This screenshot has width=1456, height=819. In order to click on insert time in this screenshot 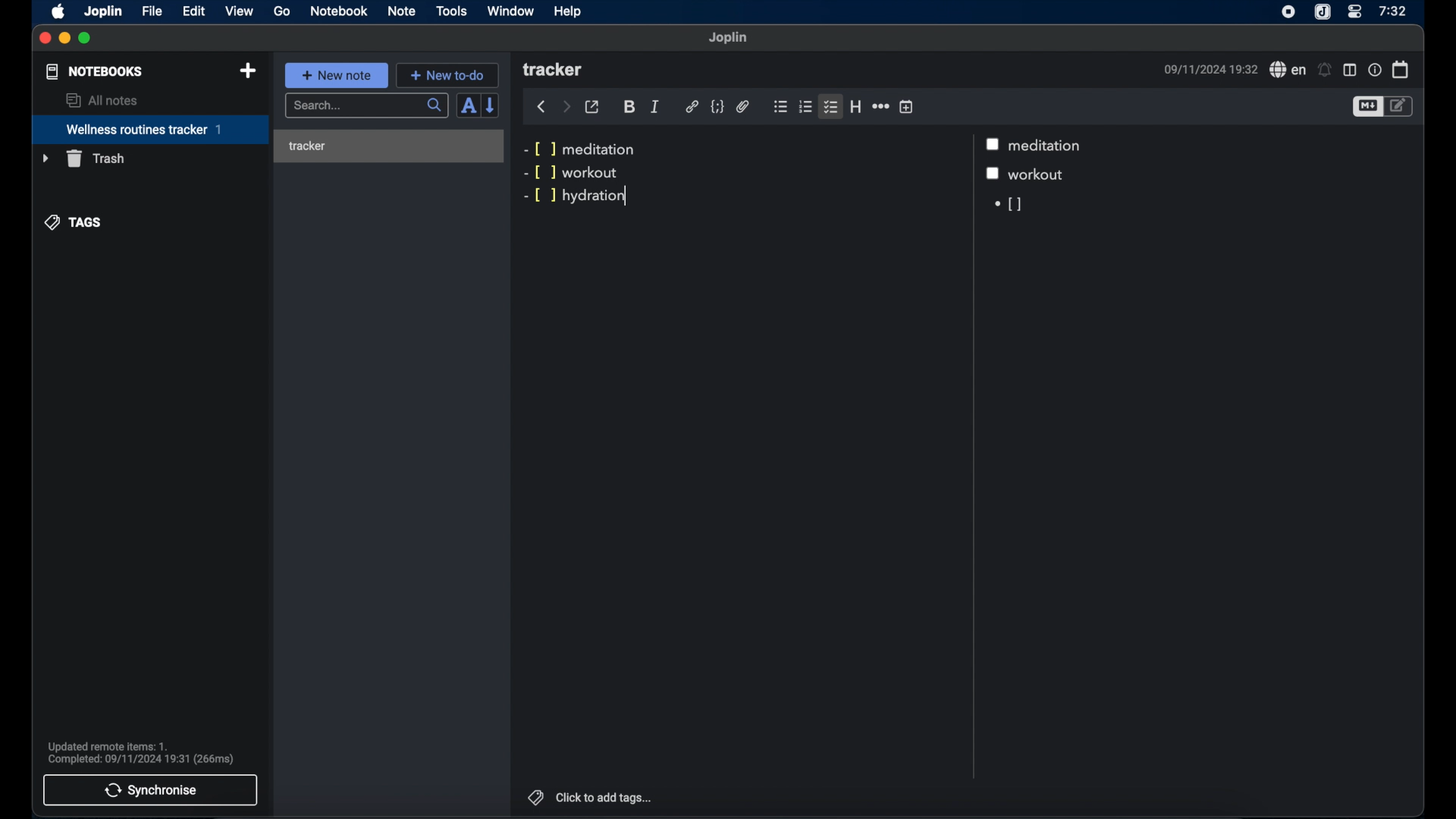, I will do `click(906, 106)`.